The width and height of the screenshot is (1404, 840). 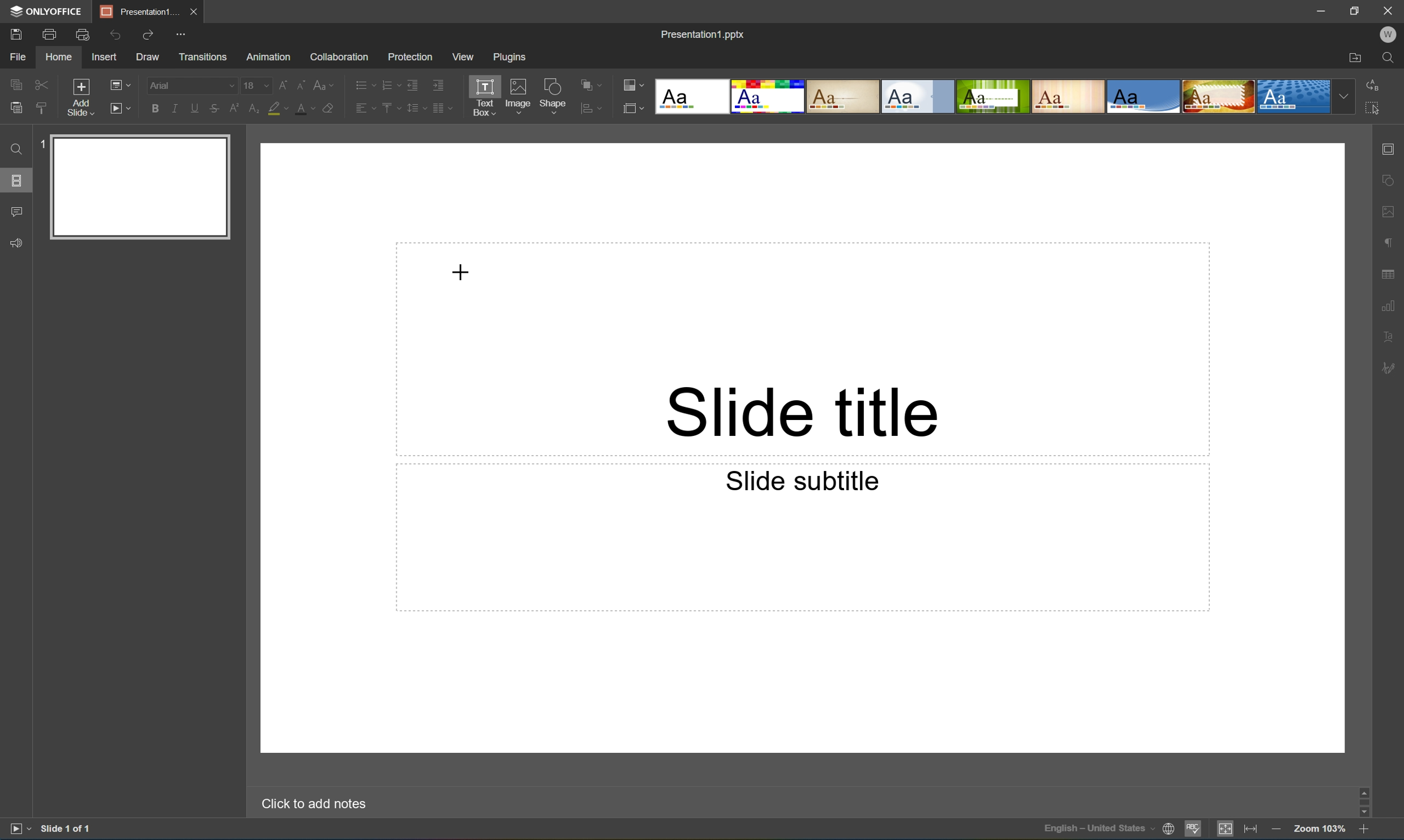 What do you see at coordinates (19, 828) in the screenshot?
I see `Start slideshow` at bounding box center [19, 828].